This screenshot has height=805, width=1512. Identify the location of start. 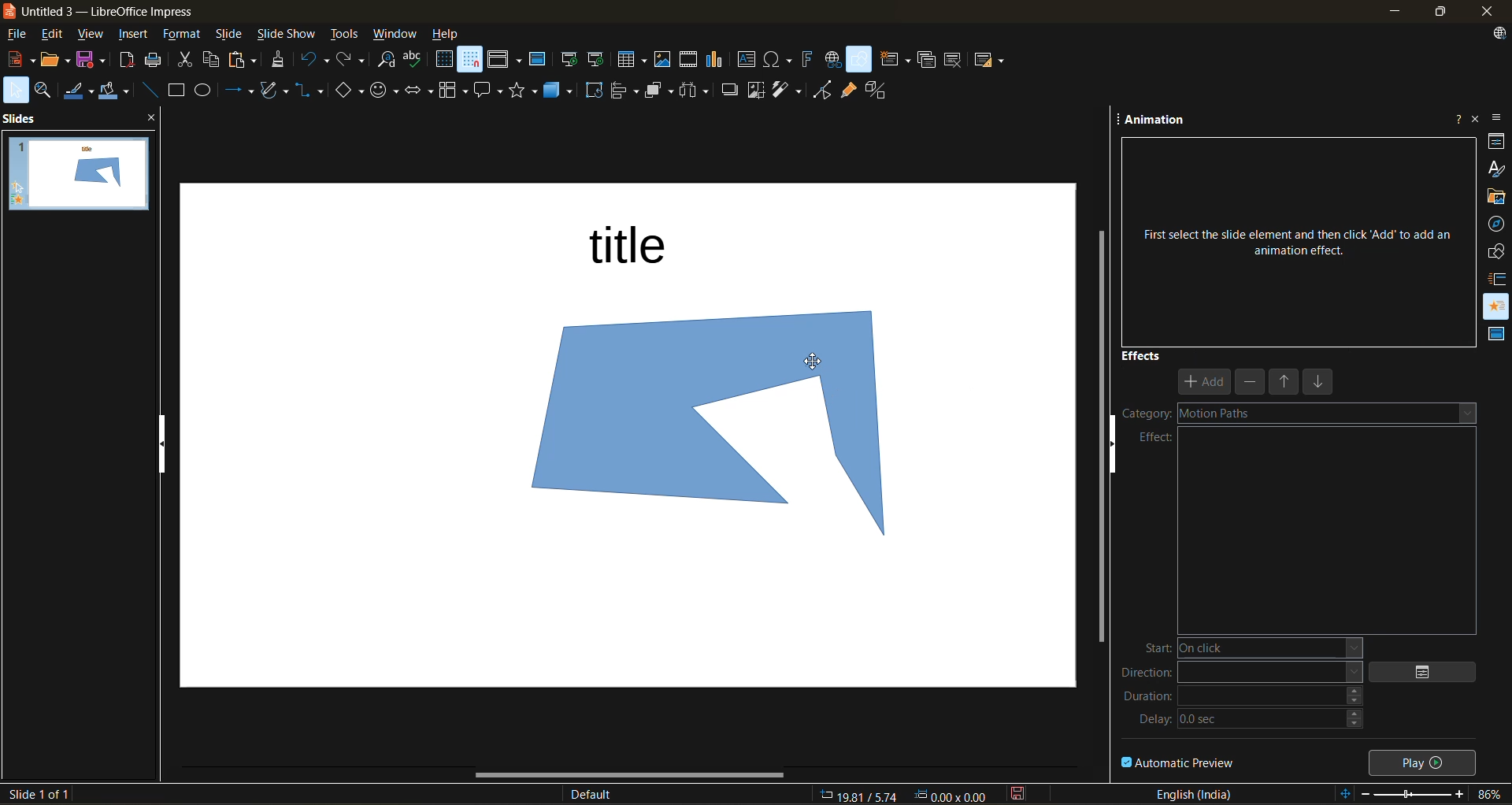
(1251, 646).